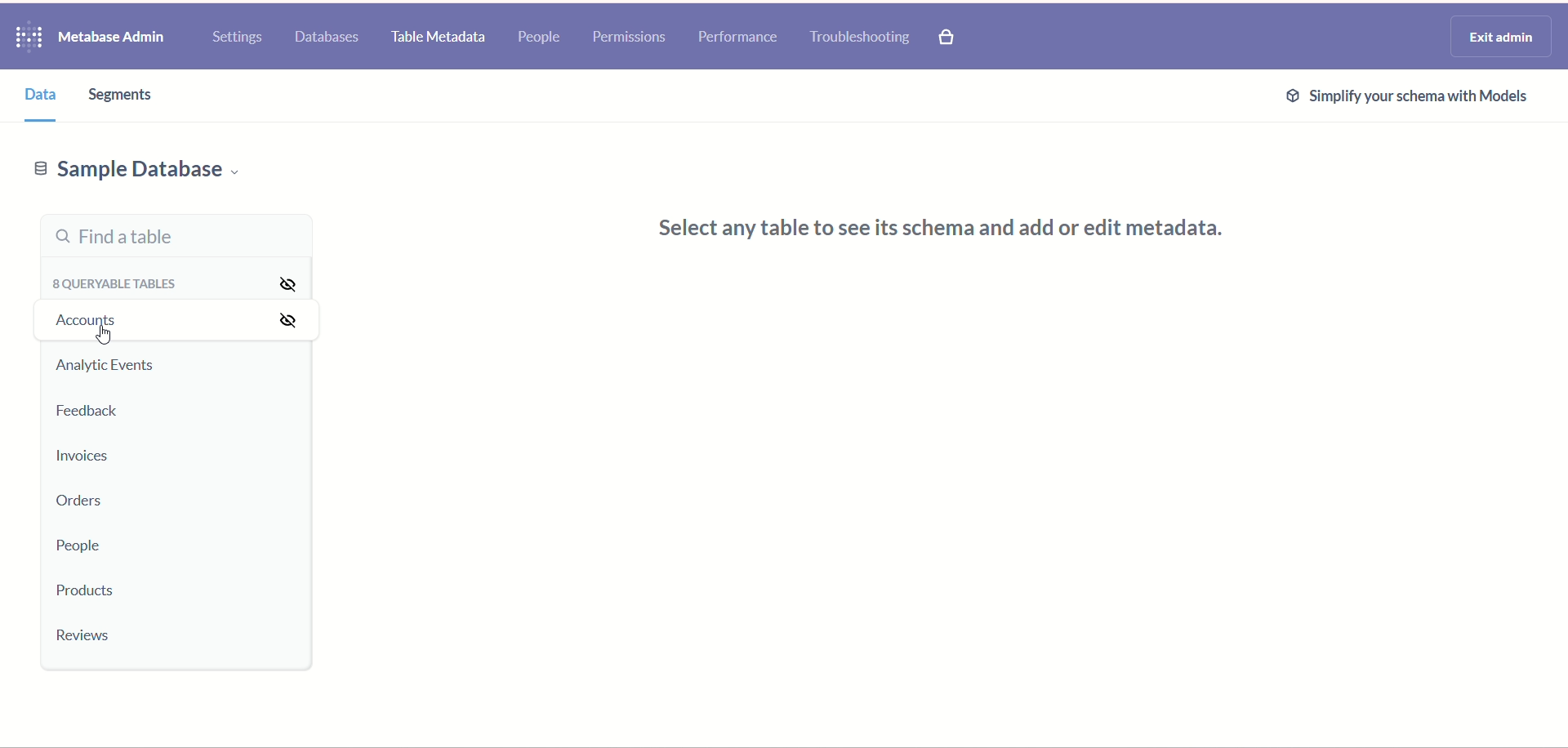  What do you see at coordinates (439, 39) in the screenshot?
I see `table metadata` at bounding box center [439, 39].